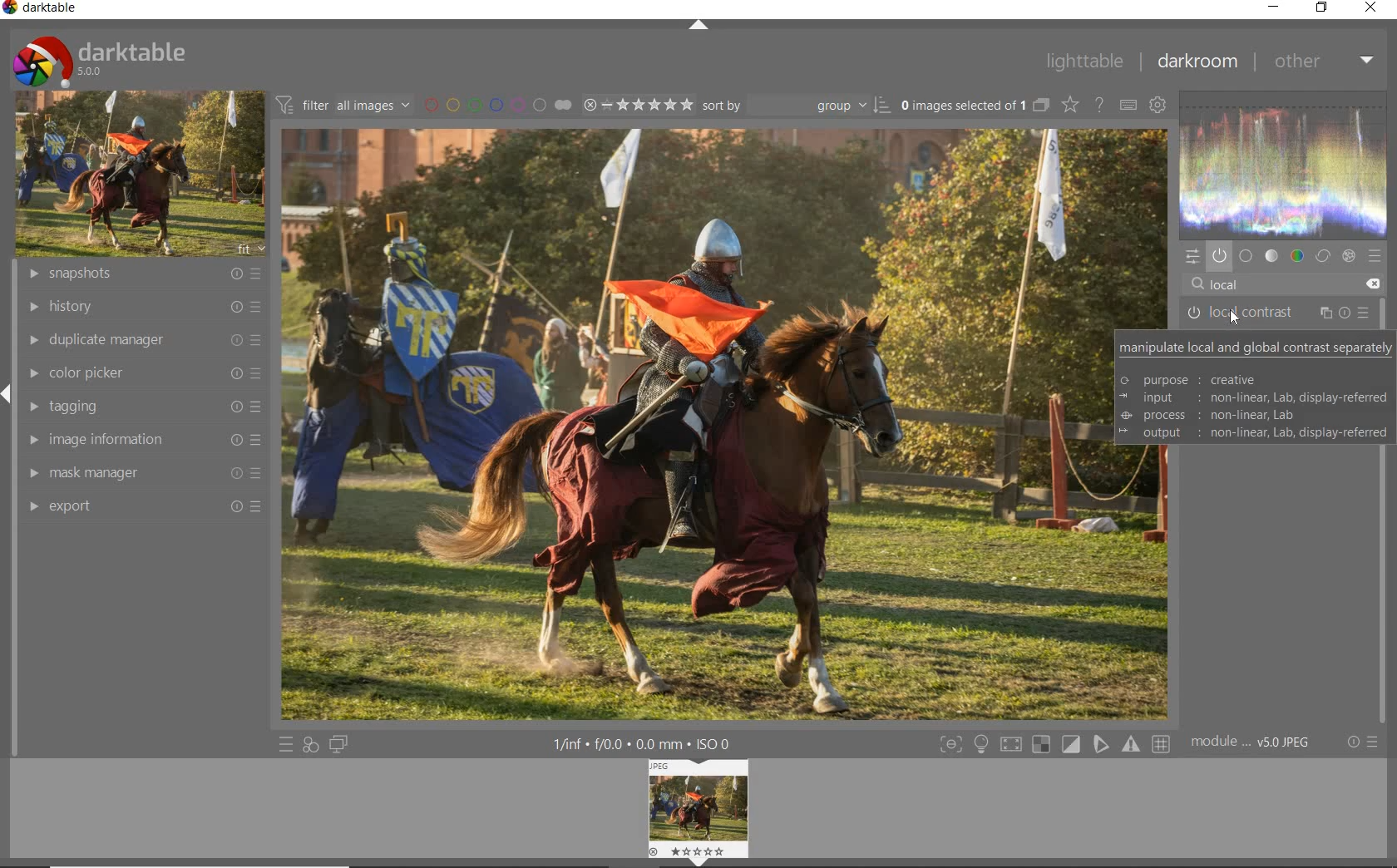 The height and width of the screenshot is (868, 1397). What do you see at coordinates (1283, 163) in the screenshot?
I see `waveform` at bounding box center [1283, 163].